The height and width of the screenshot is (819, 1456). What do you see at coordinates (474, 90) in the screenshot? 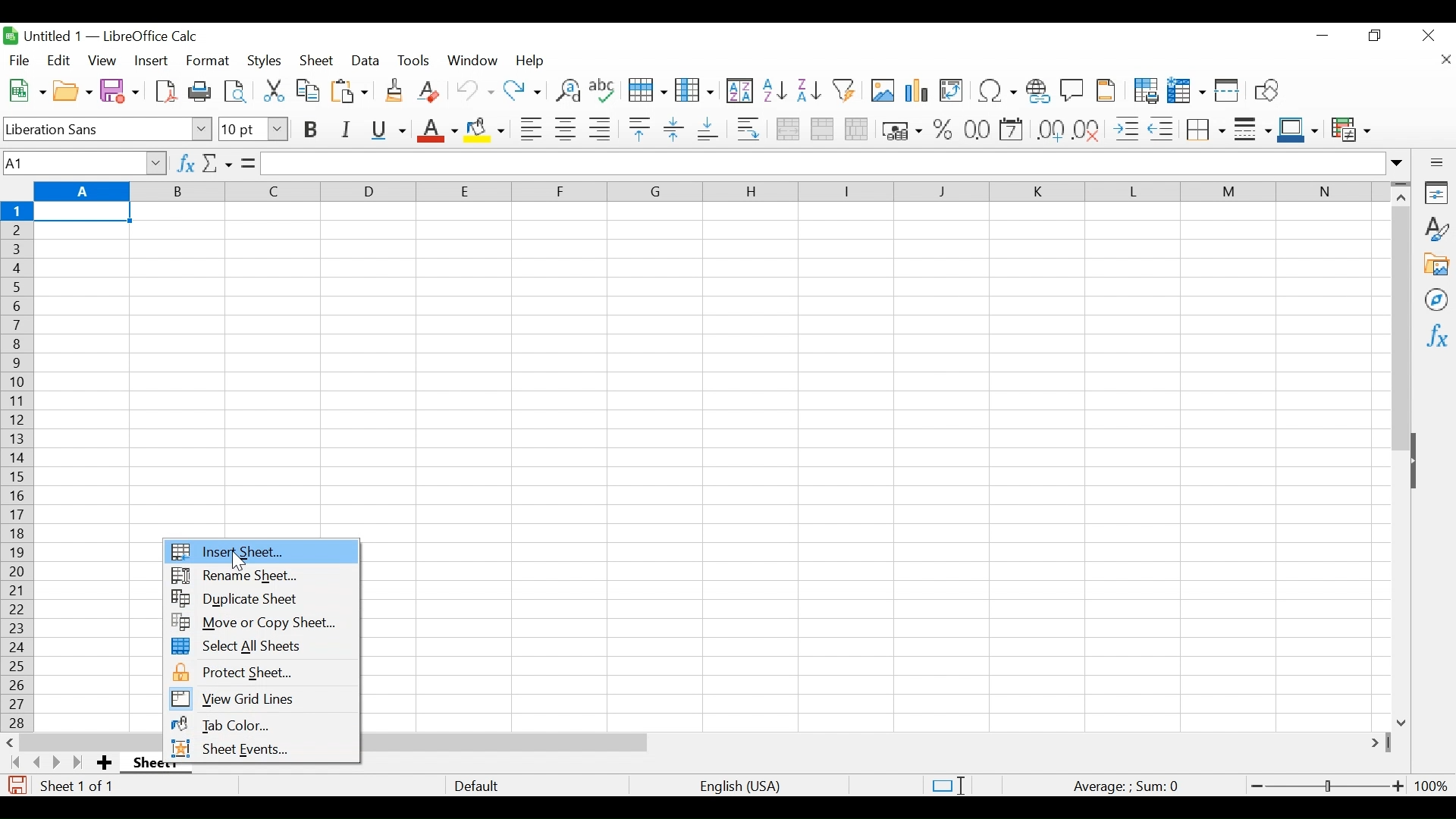
I see `Undo` at bounding box center [474, 90].